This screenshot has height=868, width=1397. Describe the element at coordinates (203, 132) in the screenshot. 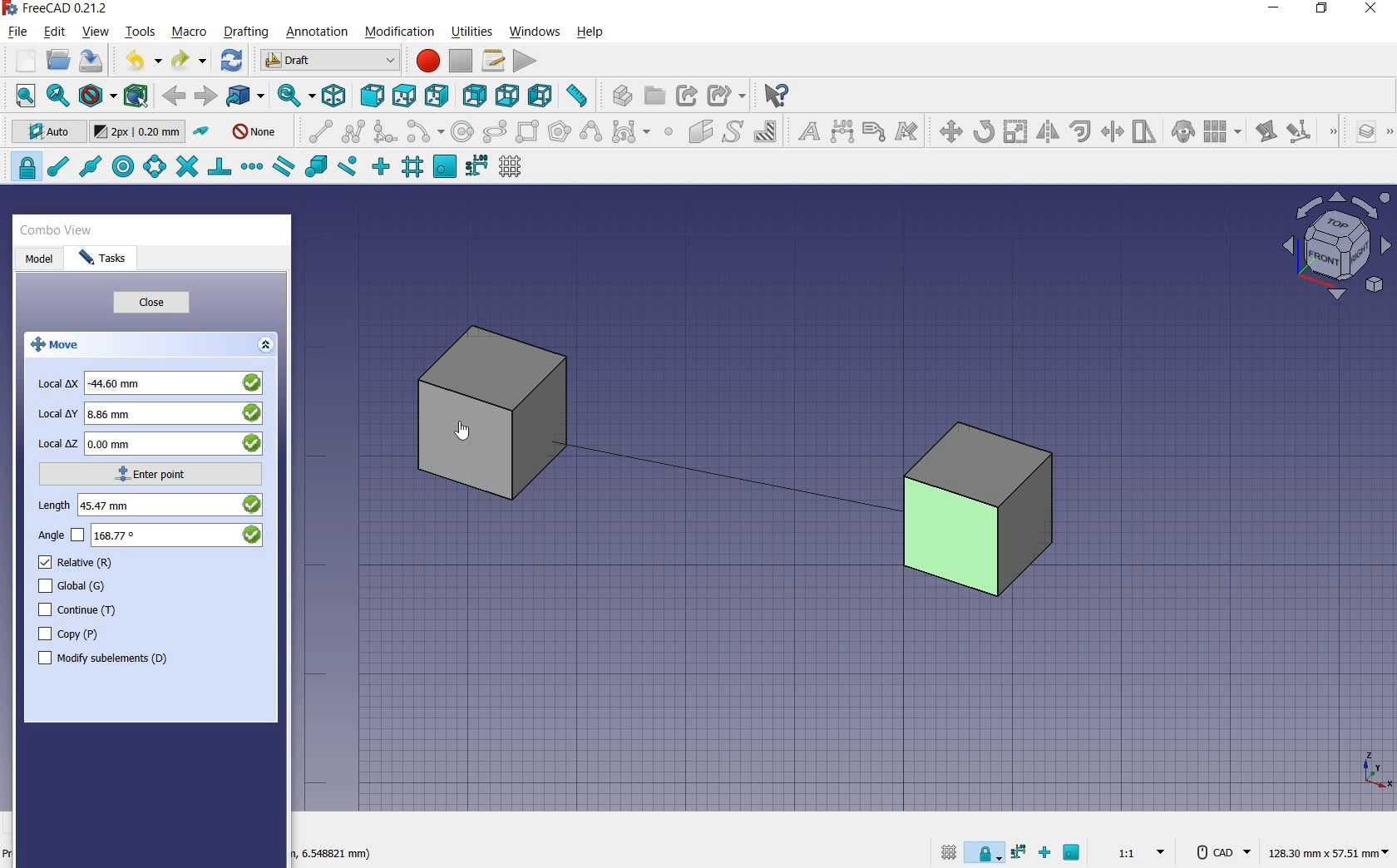

I see `toggle construction mode` at that location.